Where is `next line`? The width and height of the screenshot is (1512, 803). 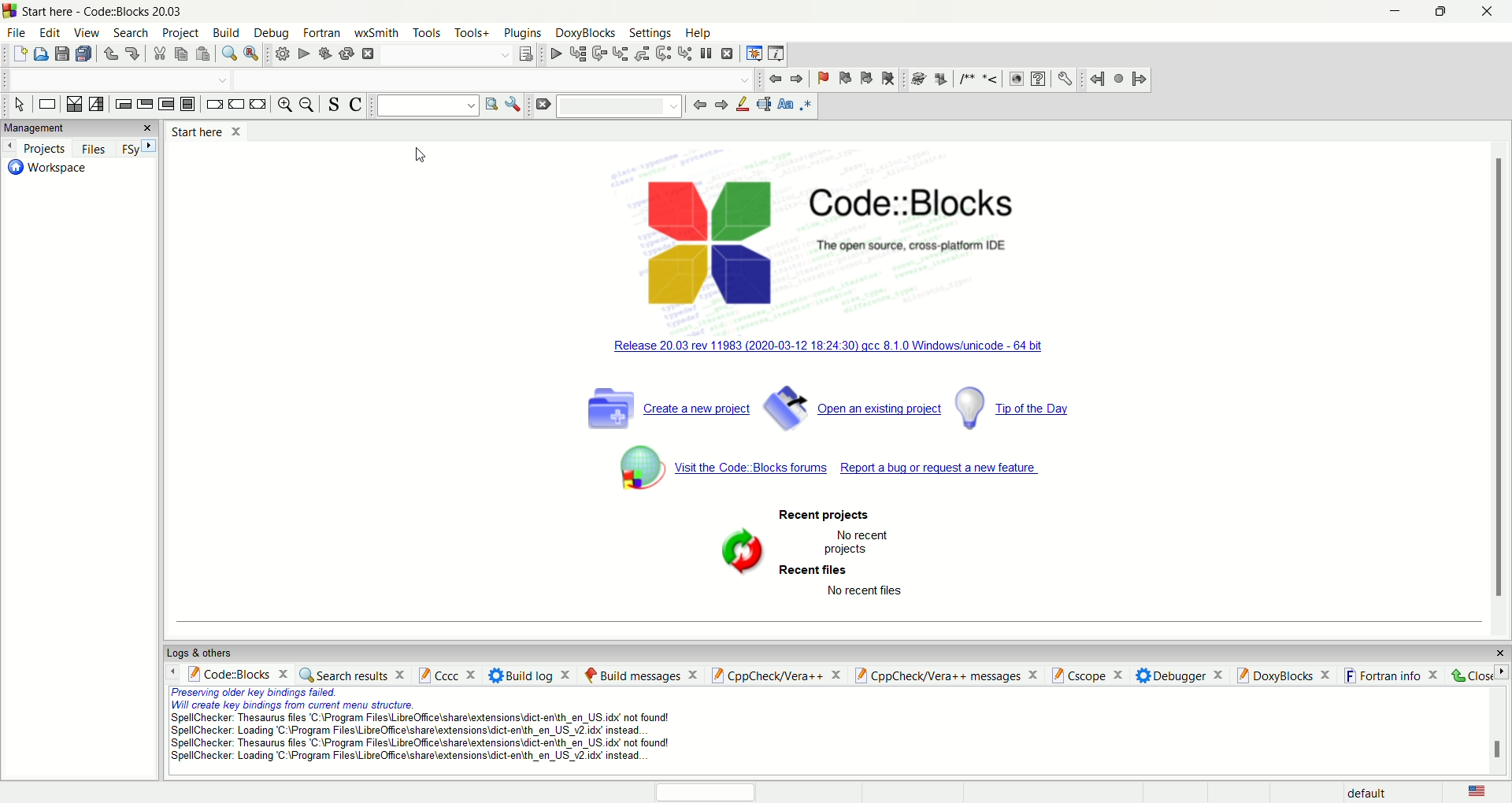
next line is located at coordinates (598, 54).